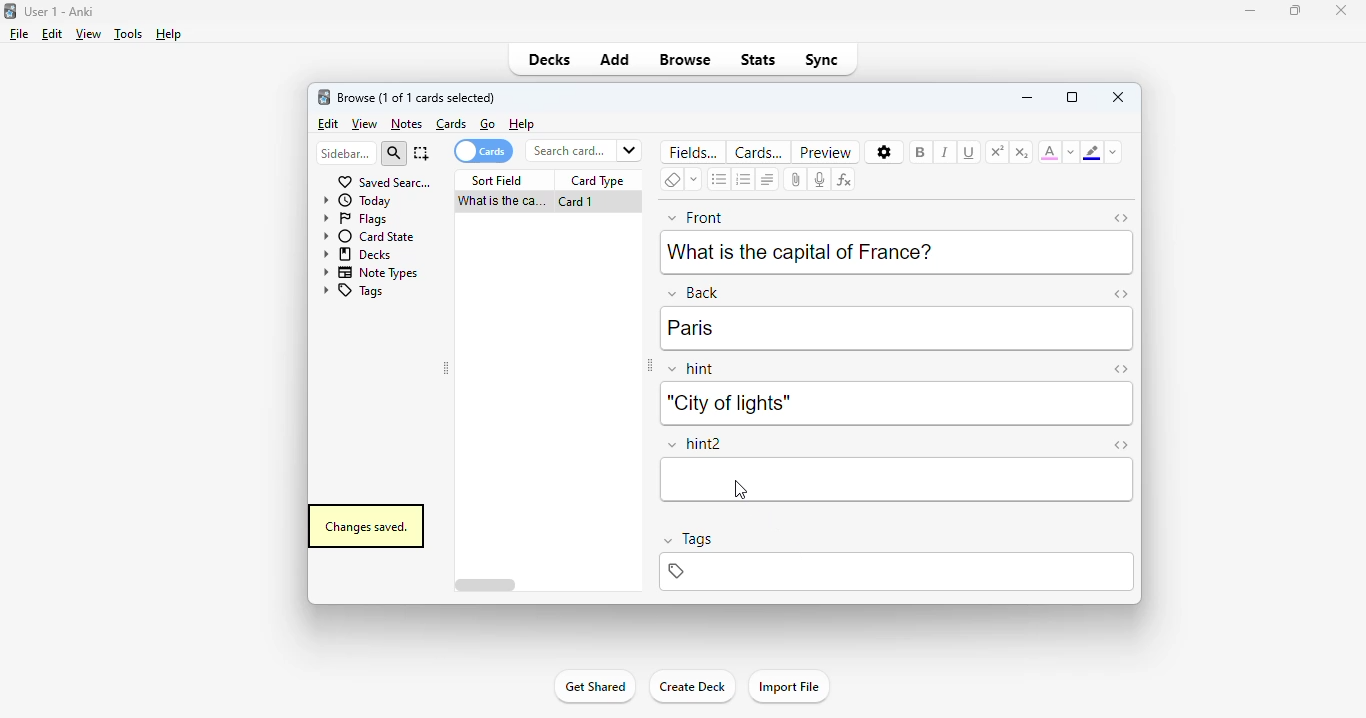  What do you see at coordinates (594, 686) in the screenshot?
I see `get shared` at bounding box center [594, 686].